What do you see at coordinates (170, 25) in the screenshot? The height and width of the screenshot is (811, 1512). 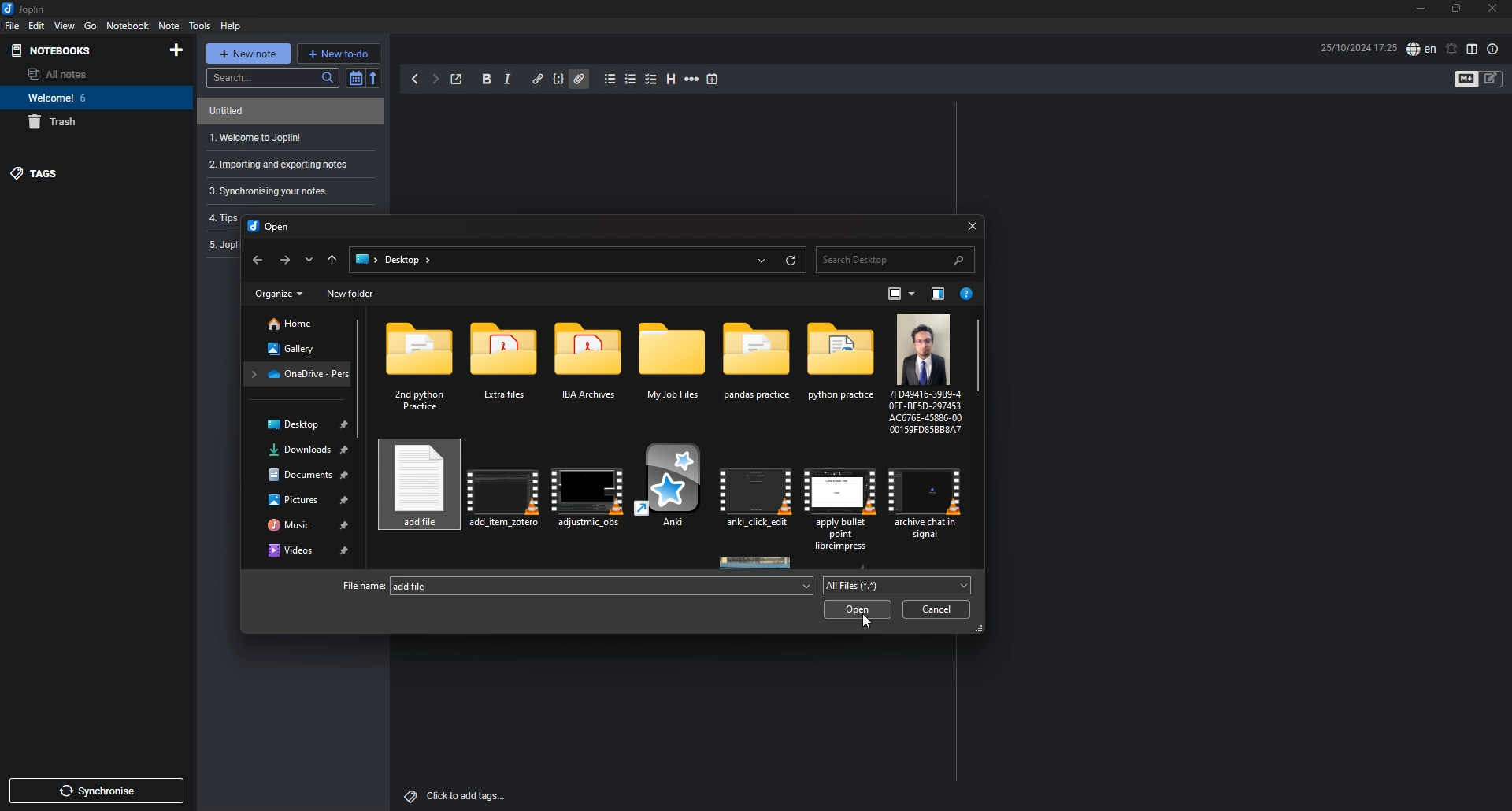 I see `note` at bounding box center [170, 25].